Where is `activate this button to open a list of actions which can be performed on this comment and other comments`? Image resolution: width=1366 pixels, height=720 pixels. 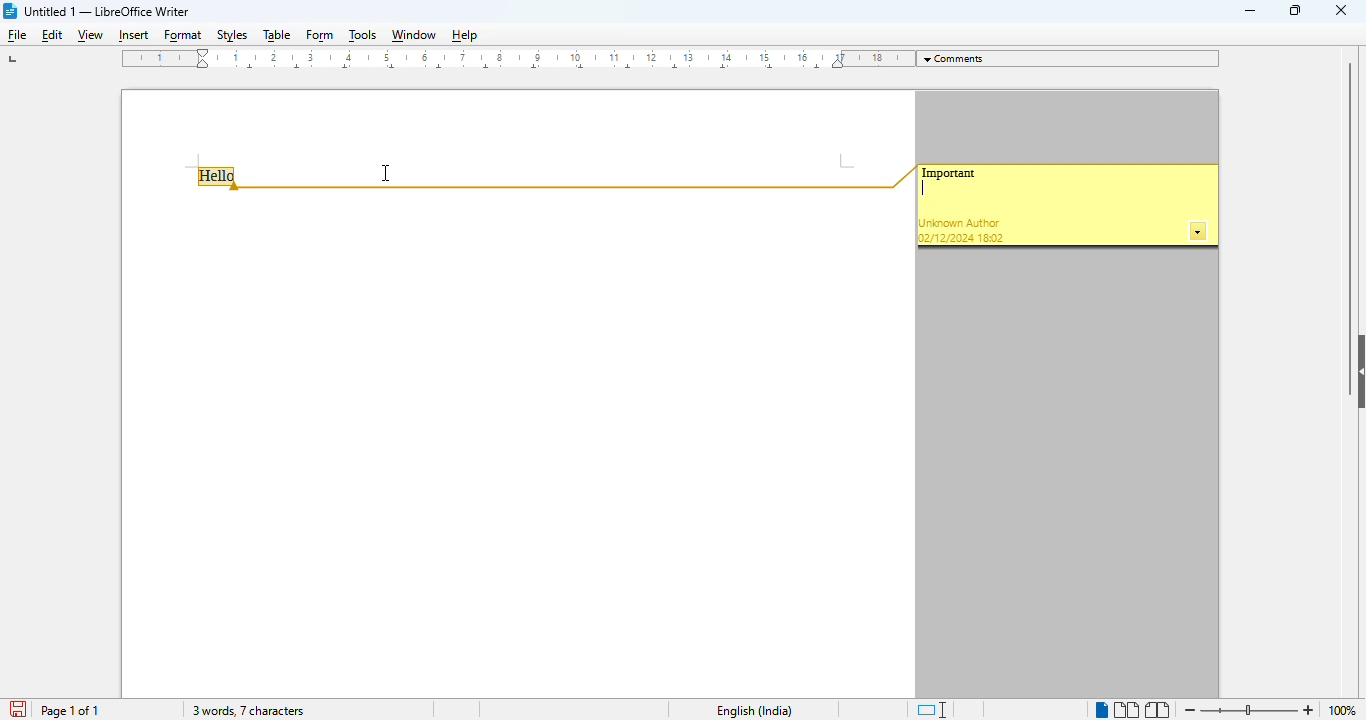
activate this button to open a list of actions which can be performed on this comment and other comments is located at coordinates (1199, 232).